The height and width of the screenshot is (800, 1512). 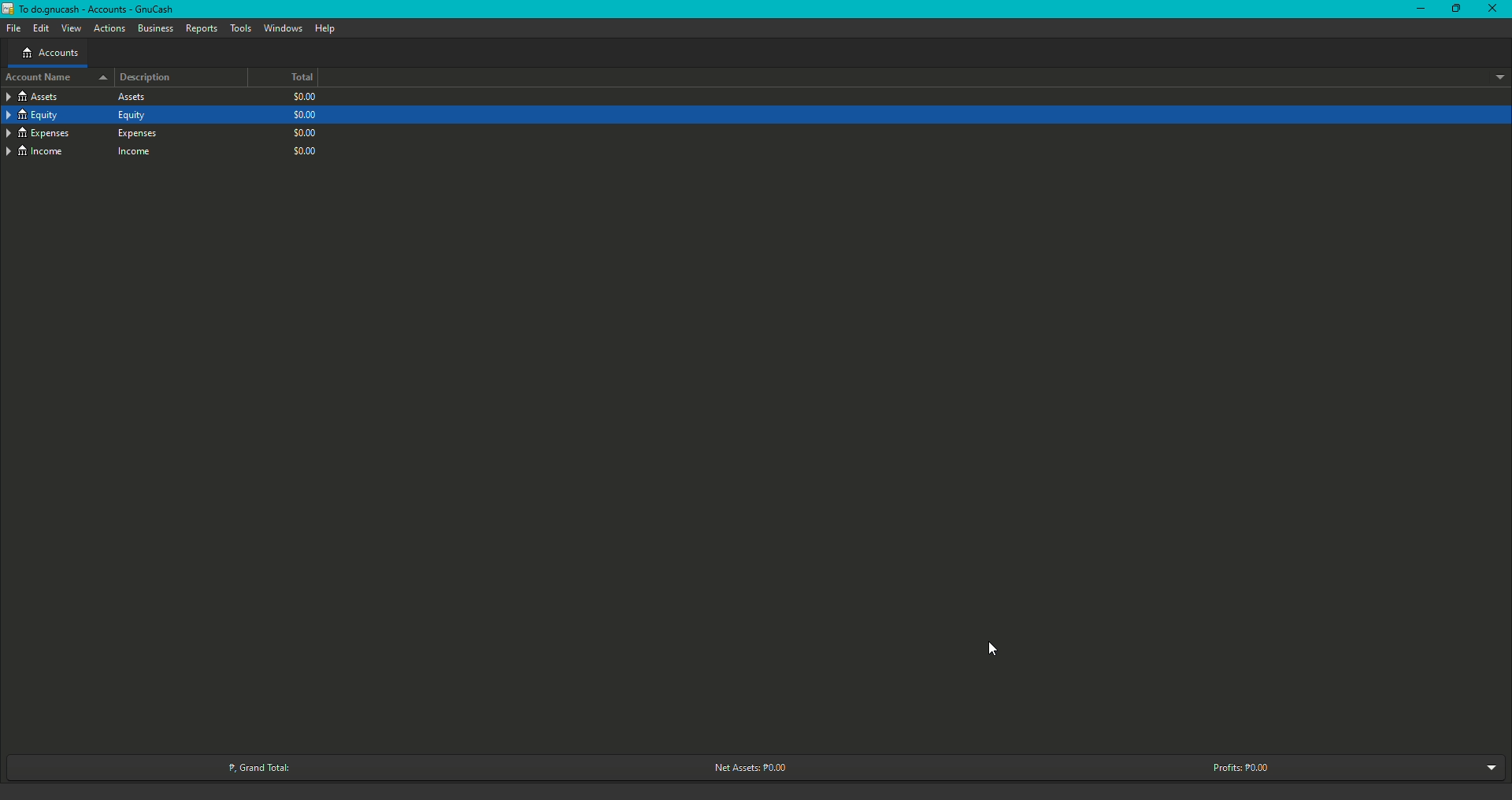 What do you see at coordinates (258, 766) in the screenshot?
I see `Grand Total` at bounding box center [258, 766].